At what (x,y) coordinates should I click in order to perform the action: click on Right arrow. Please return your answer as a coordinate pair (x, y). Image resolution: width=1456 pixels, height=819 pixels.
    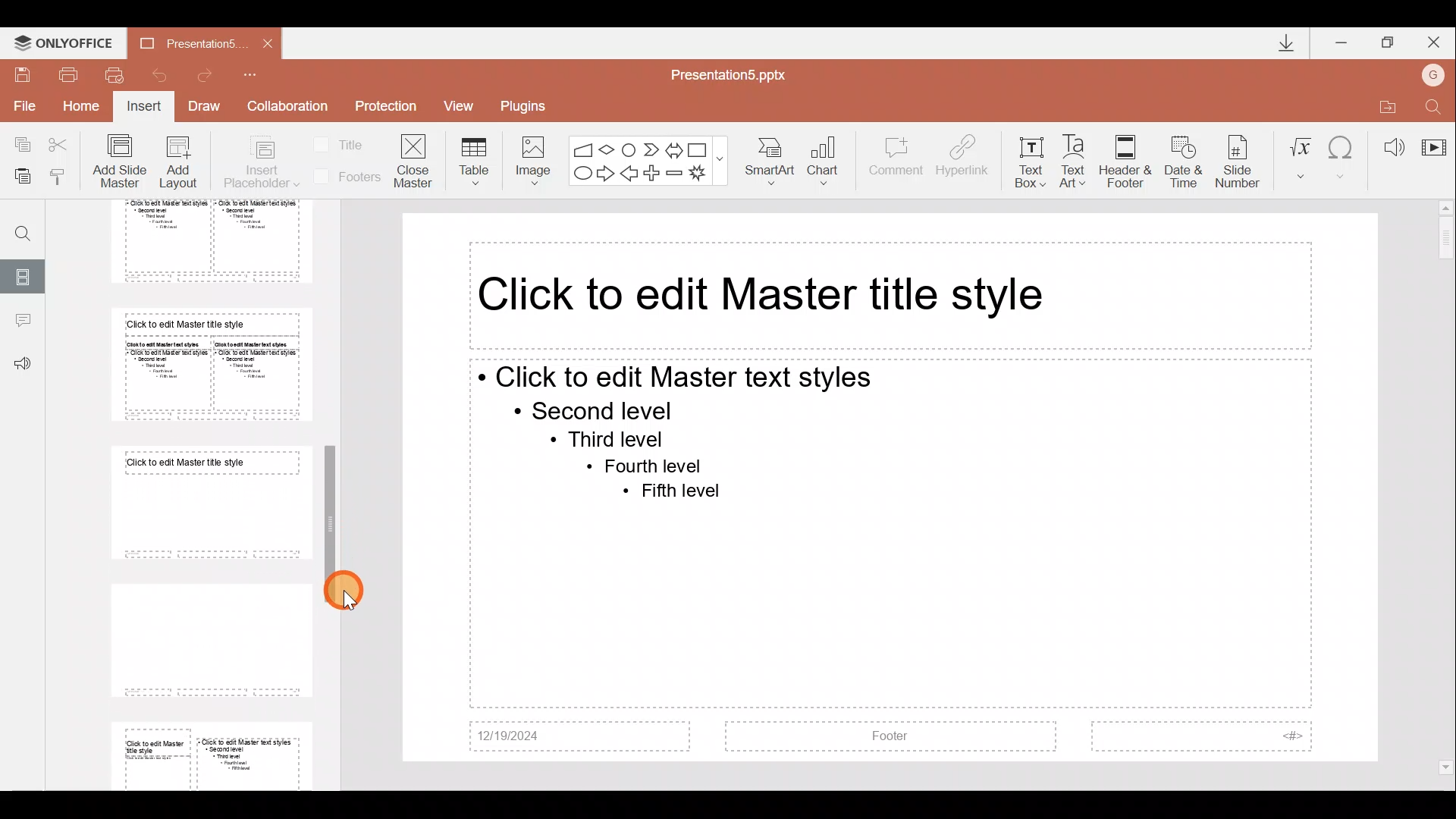
    Looking at the image, I should click on (605, 174).